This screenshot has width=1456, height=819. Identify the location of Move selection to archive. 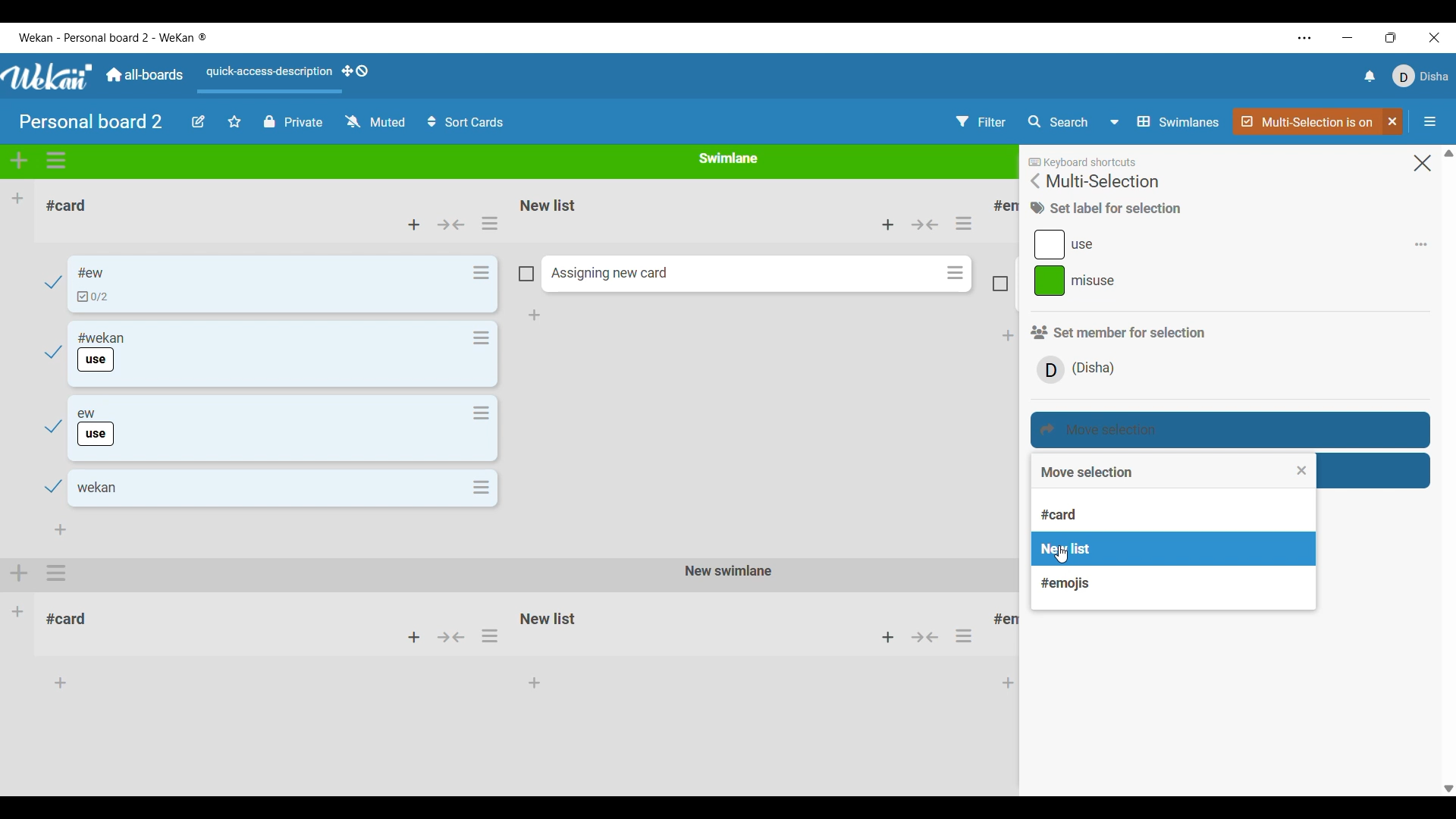
(1376, 473).